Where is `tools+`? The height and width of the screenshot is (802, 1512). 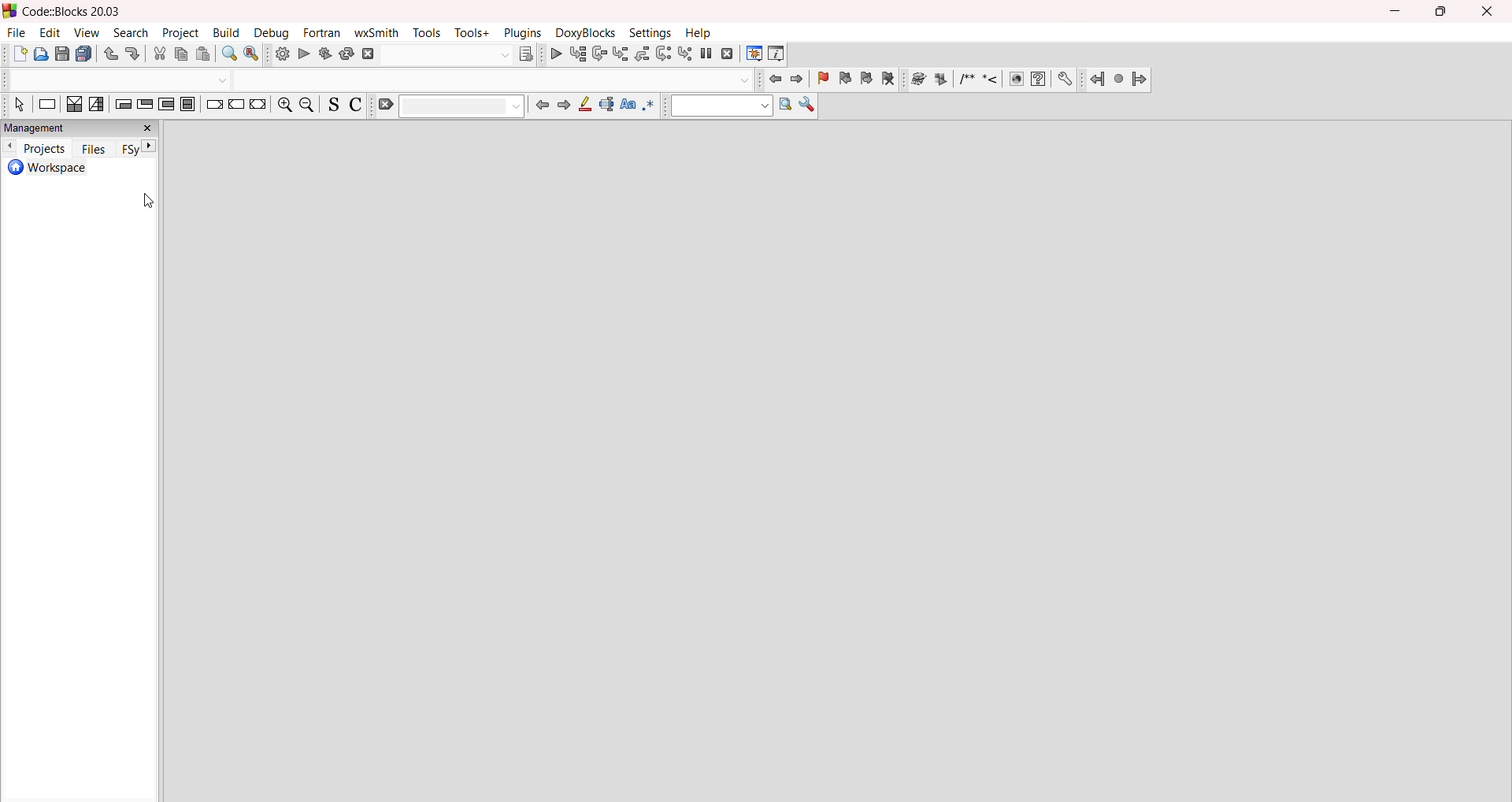
tools+ is located at coordinates (472, 33).